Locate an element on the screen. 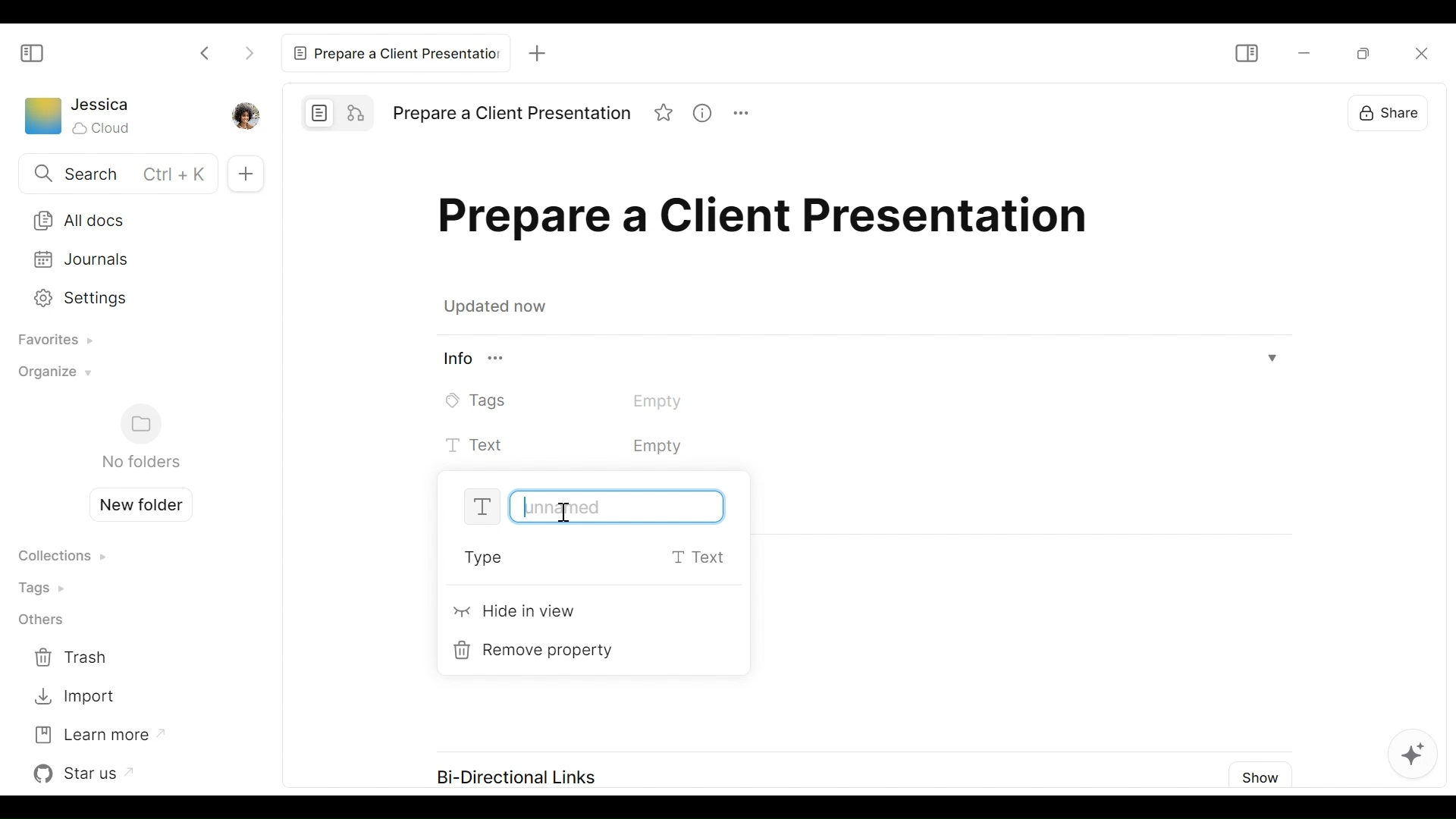 This screenshot has height=819, width=1456. Workspace is located at coordinates (42, 119).